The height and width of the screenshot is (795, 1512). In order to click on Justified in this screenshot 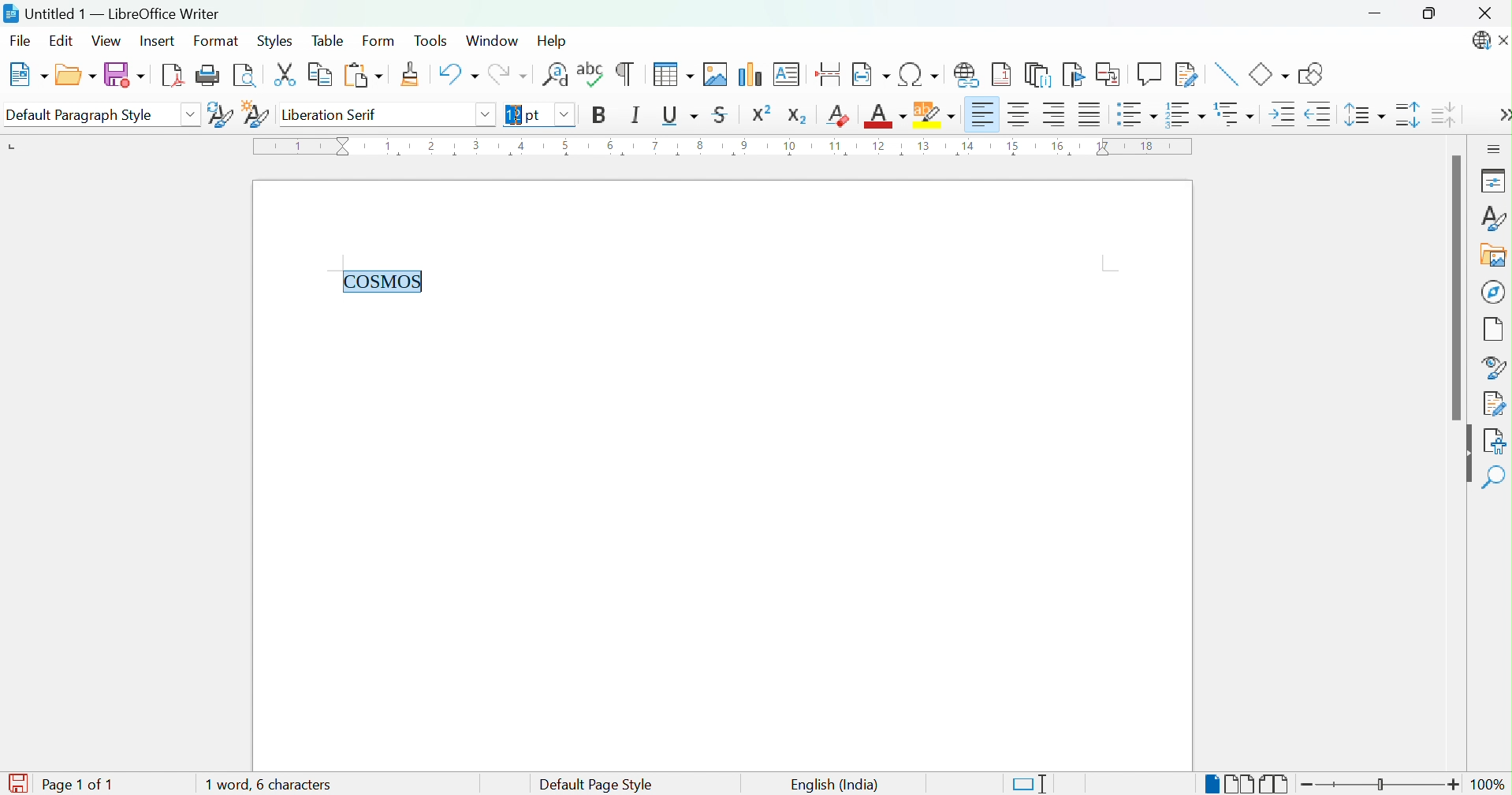, I will do `click(1089, 116)`.